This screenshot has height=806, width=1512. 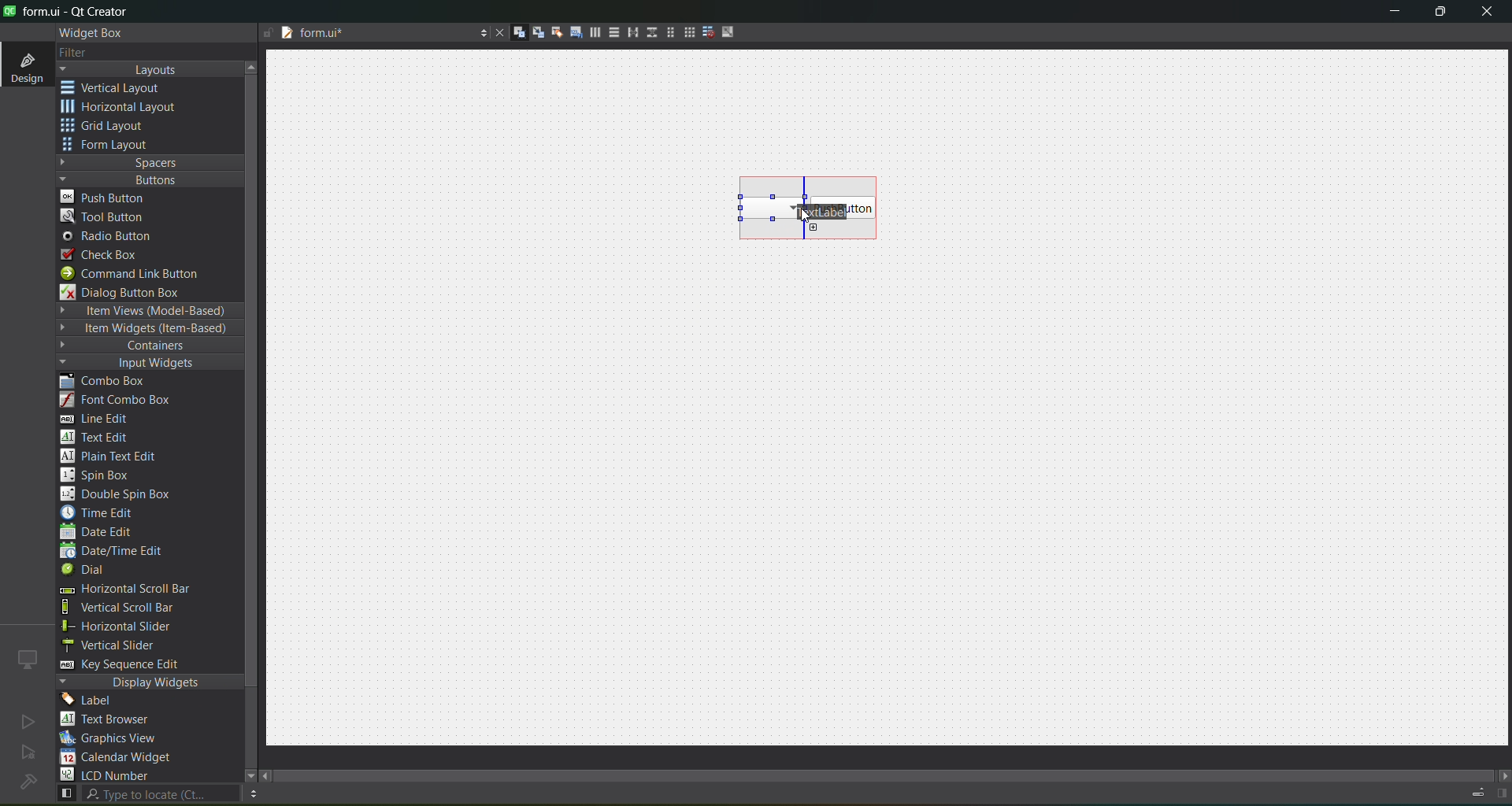 What do you see at coordinates (243, 774) in the screenshot?
I see `move down` at bounding box center [243, 774].